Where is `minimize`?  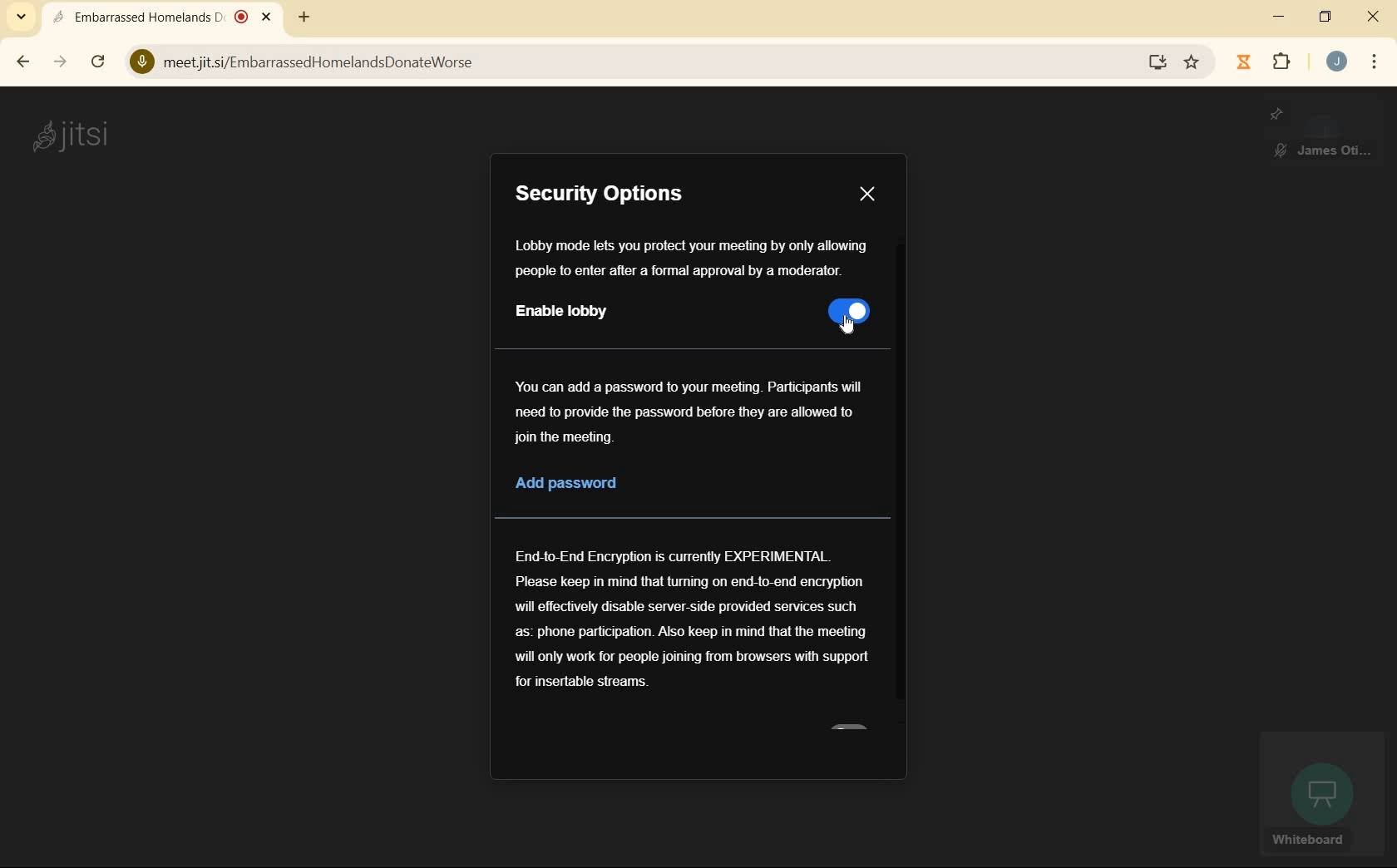
minimize is located at coordinates (1276, 17).